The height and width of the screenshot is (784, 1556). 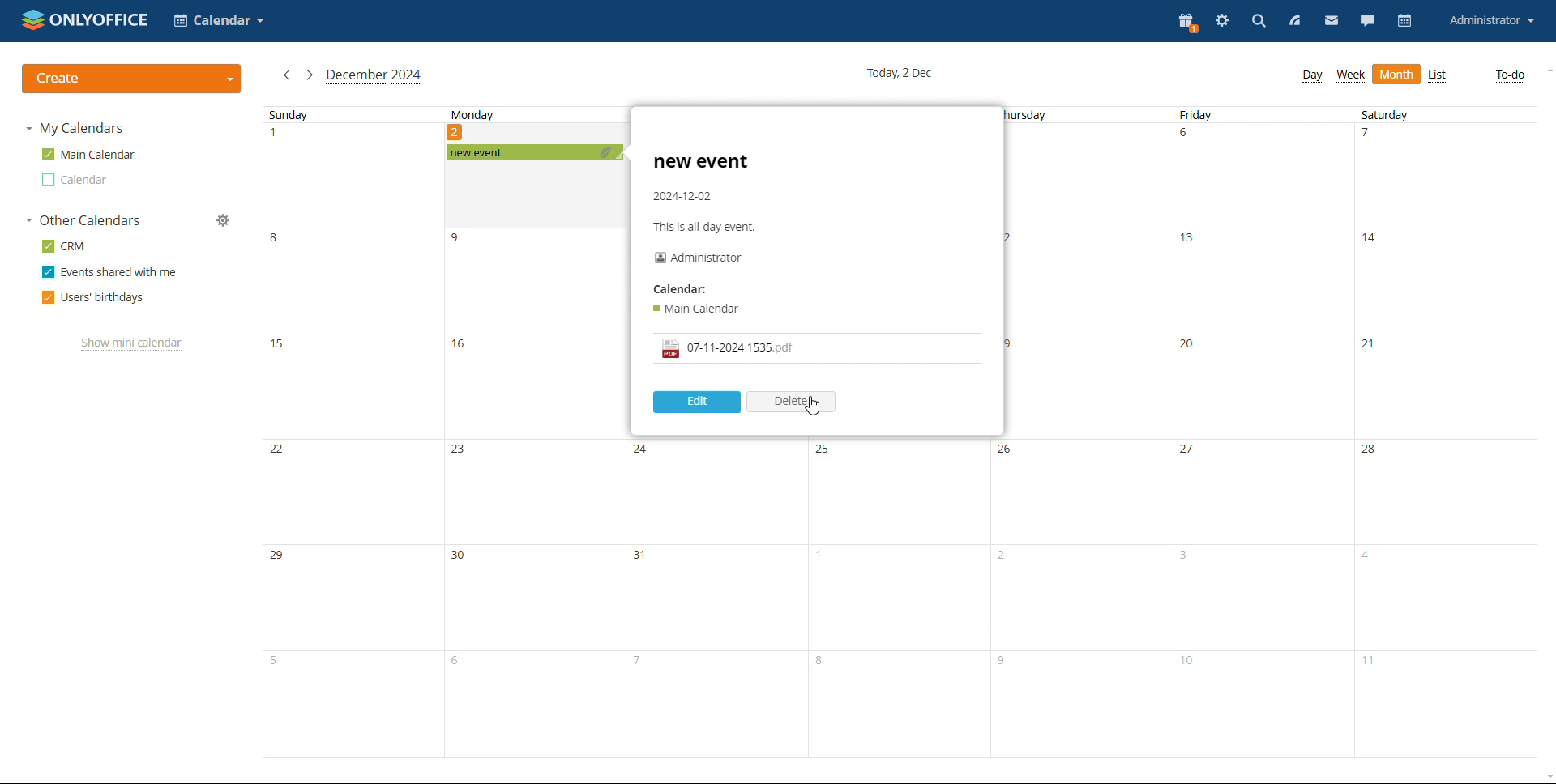 What do you see at coordinates (1366, 560) in the screenshot?
I see `4` at bounding box center [1366, 560].